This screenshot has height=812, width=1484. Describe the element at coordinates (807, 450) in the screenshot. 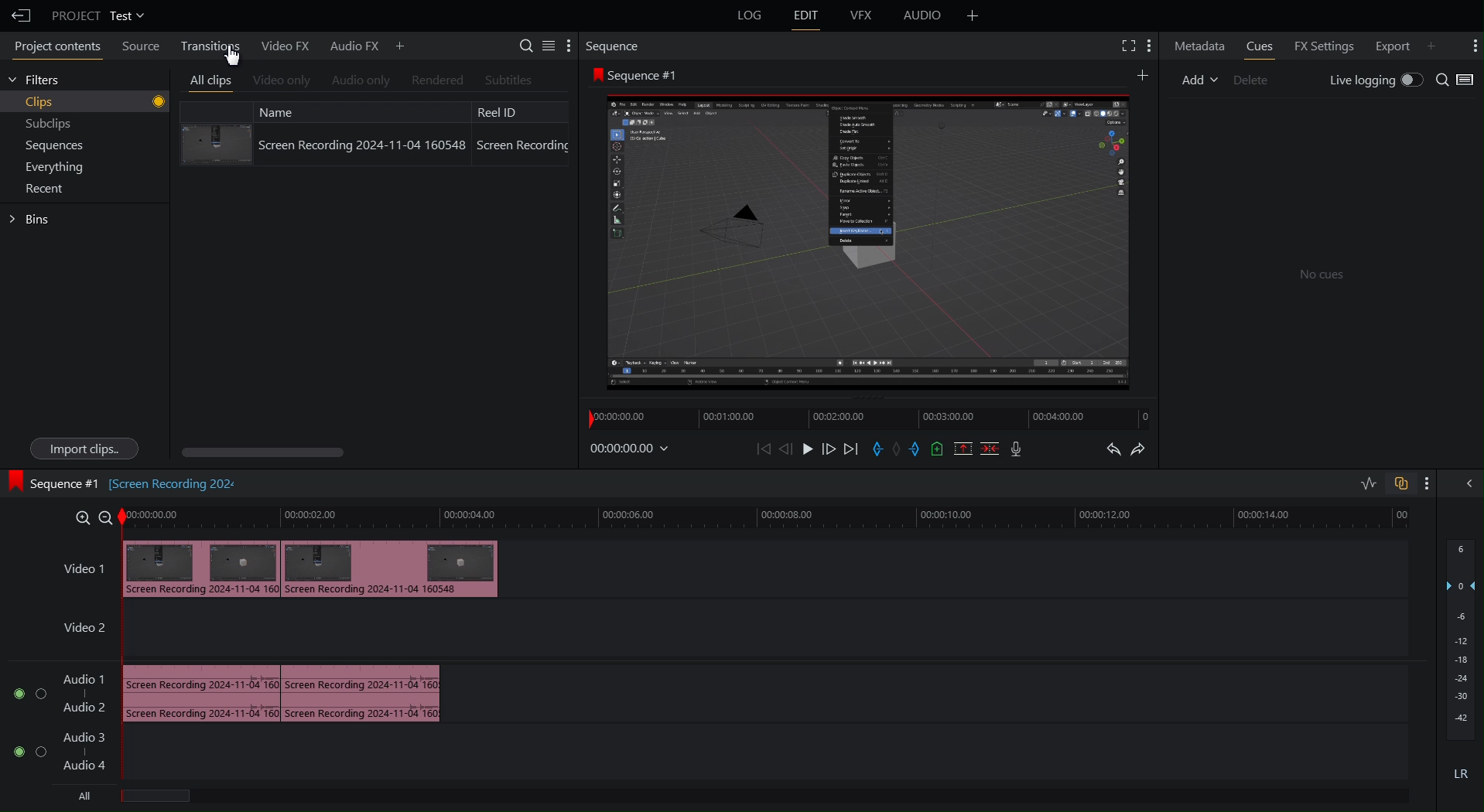

I see `Play` at that location.